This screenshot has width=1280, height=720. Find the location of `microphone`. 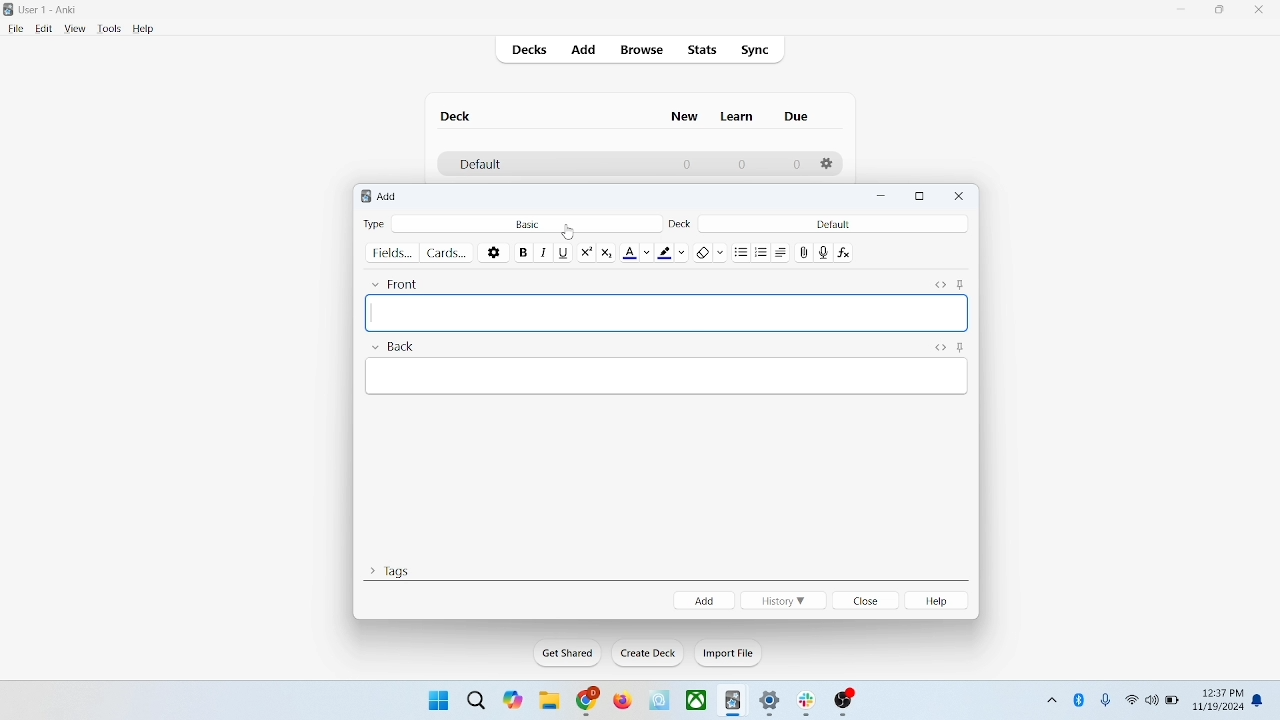

microphone is located at coordinates (1107, 701).